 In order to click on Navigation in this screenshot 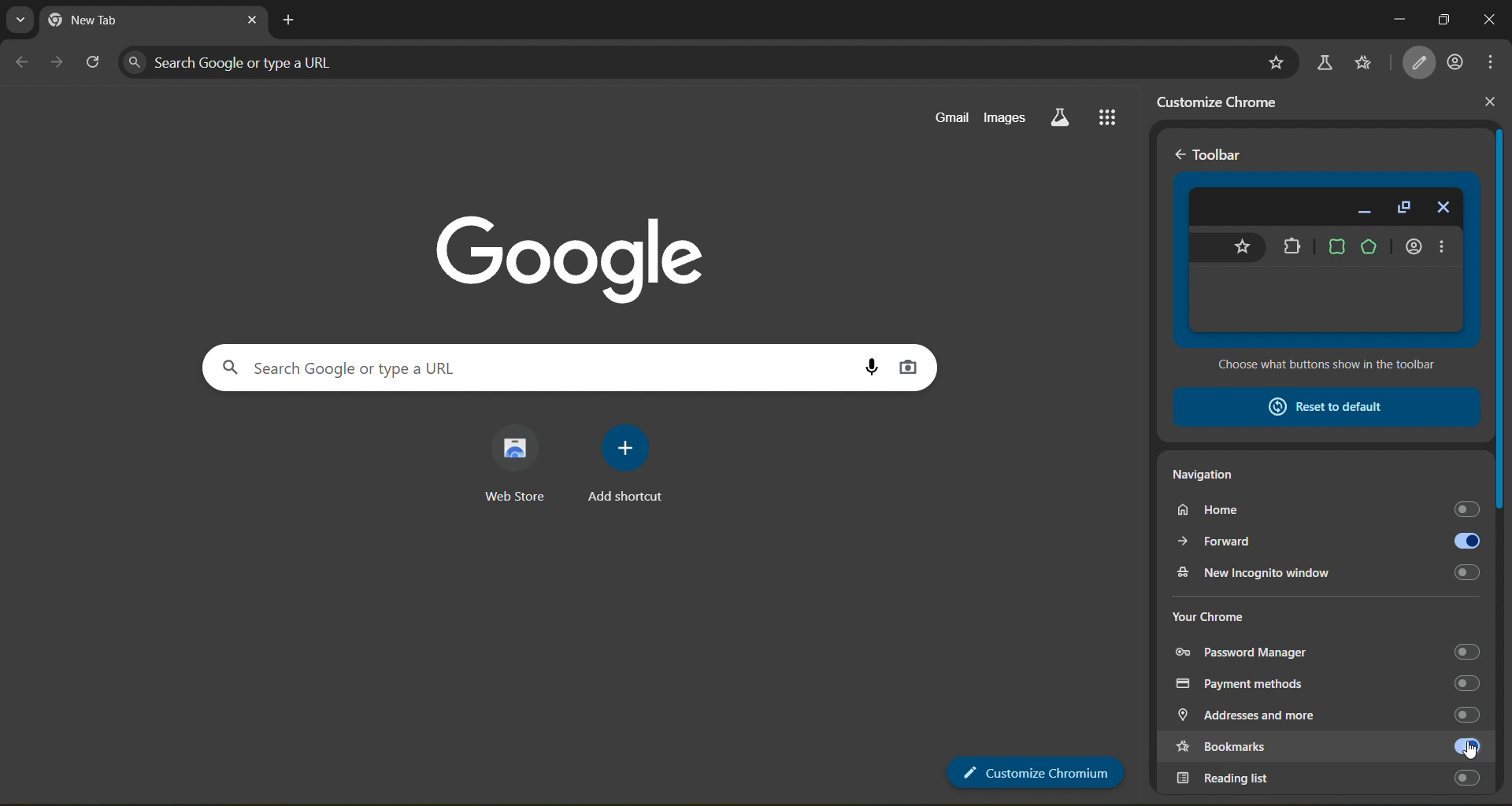, I will do `click(1210, 477)`.